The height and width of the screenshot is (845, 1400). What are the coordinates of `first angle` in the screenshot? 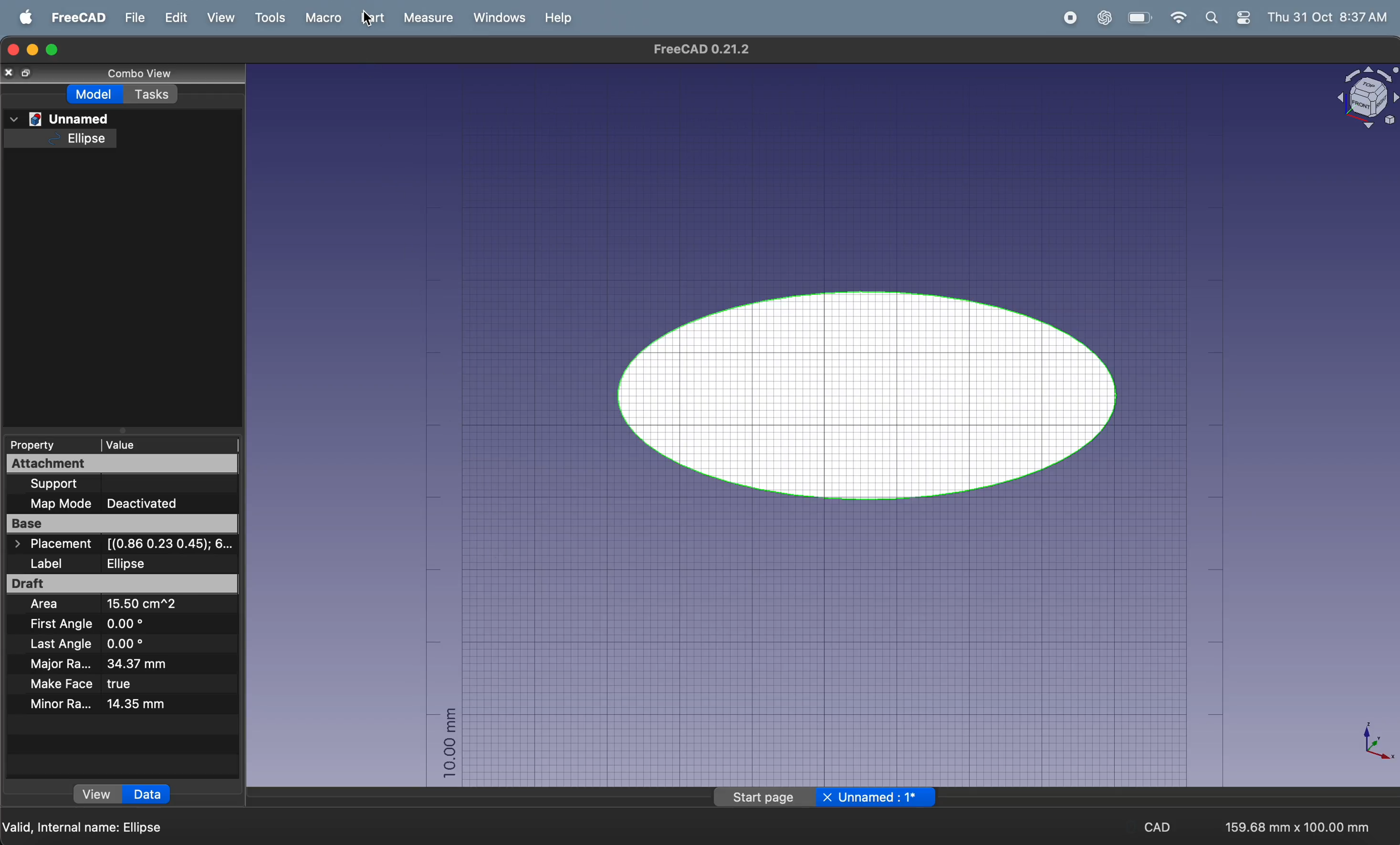 It's located at (107, 625).